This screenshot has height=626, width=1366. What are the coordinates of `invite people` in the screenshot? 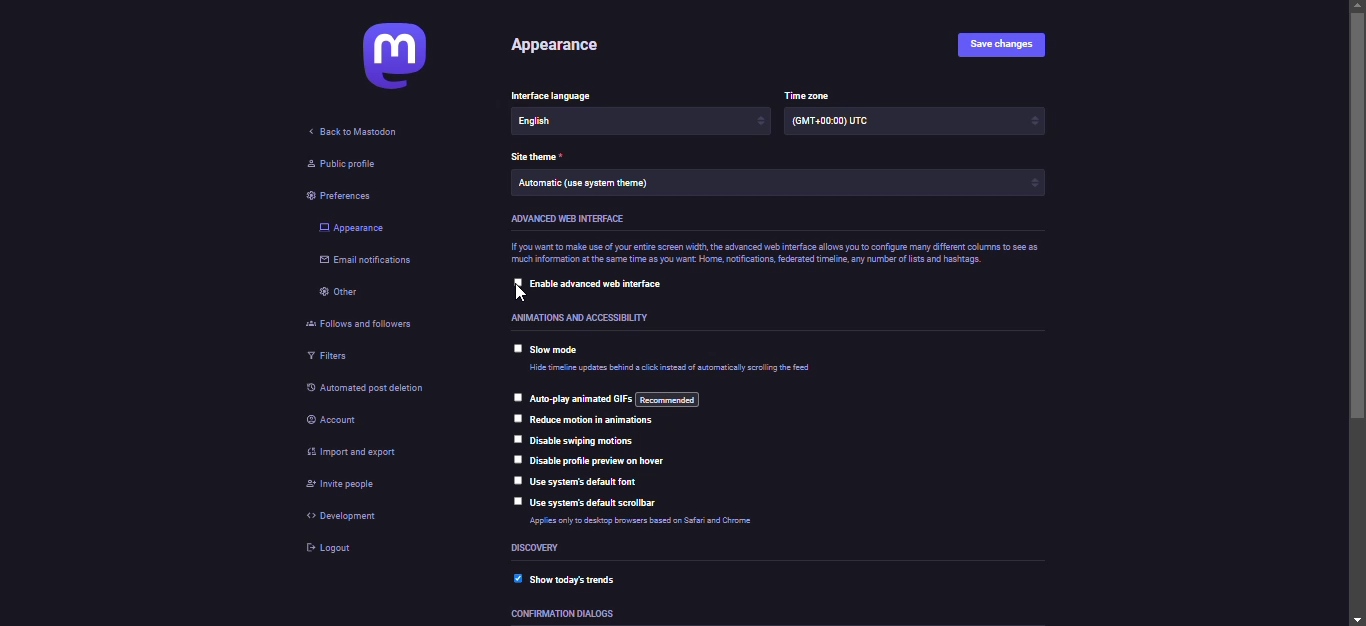 It's located at (334, 487).